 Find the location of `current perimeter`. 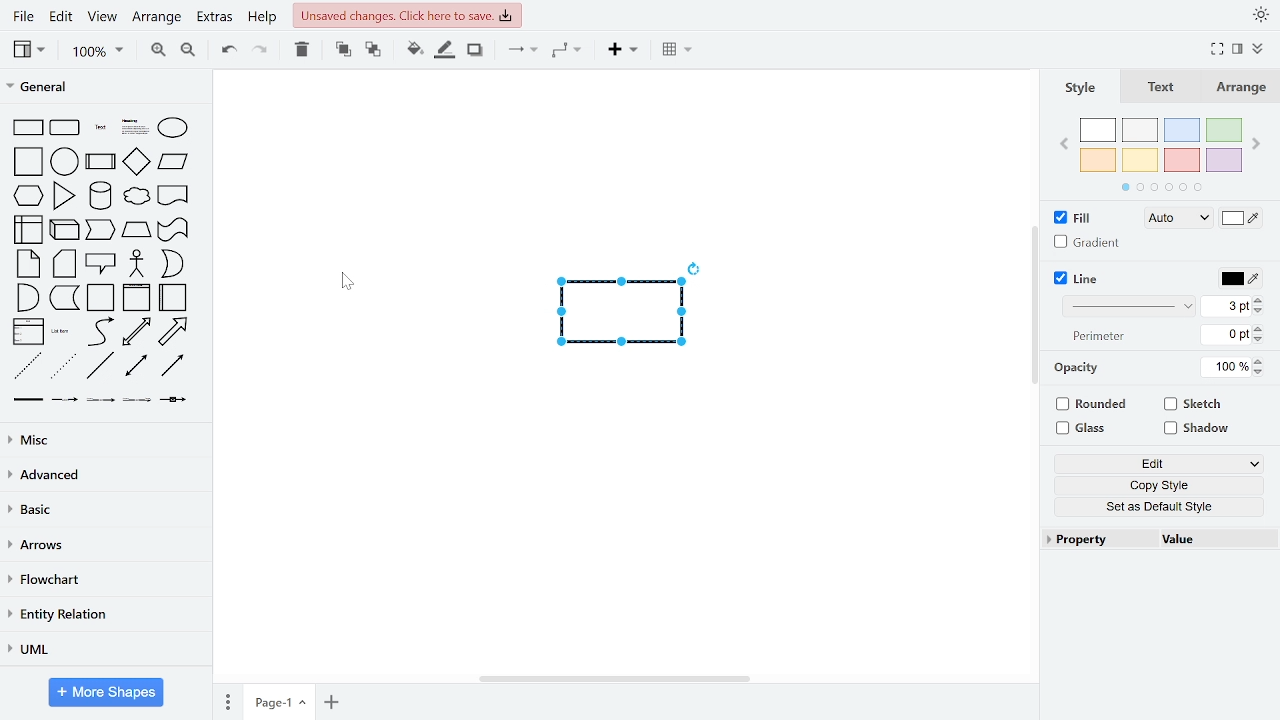

current perimeter is located at coordinates (1226, 335).